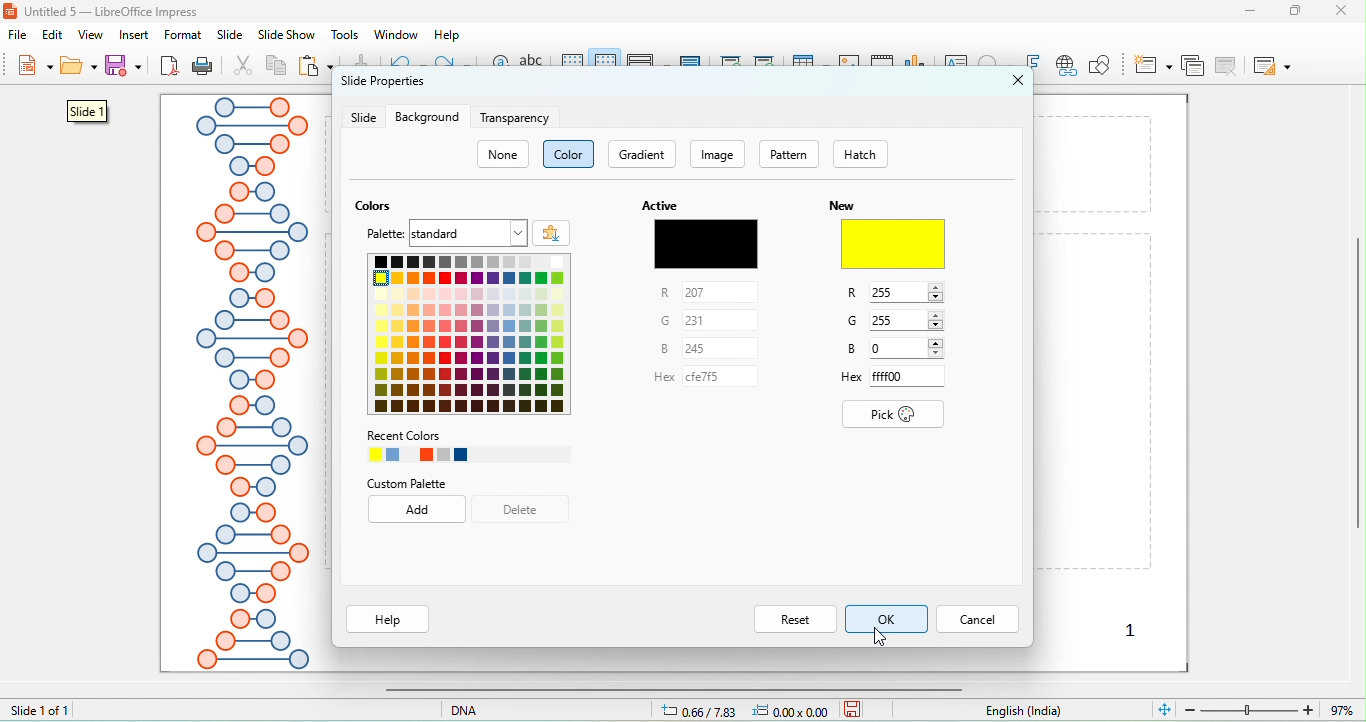 This screenshot has width=1366, height=722. I want to click on horizontal scroll bar, so click(668, 689).